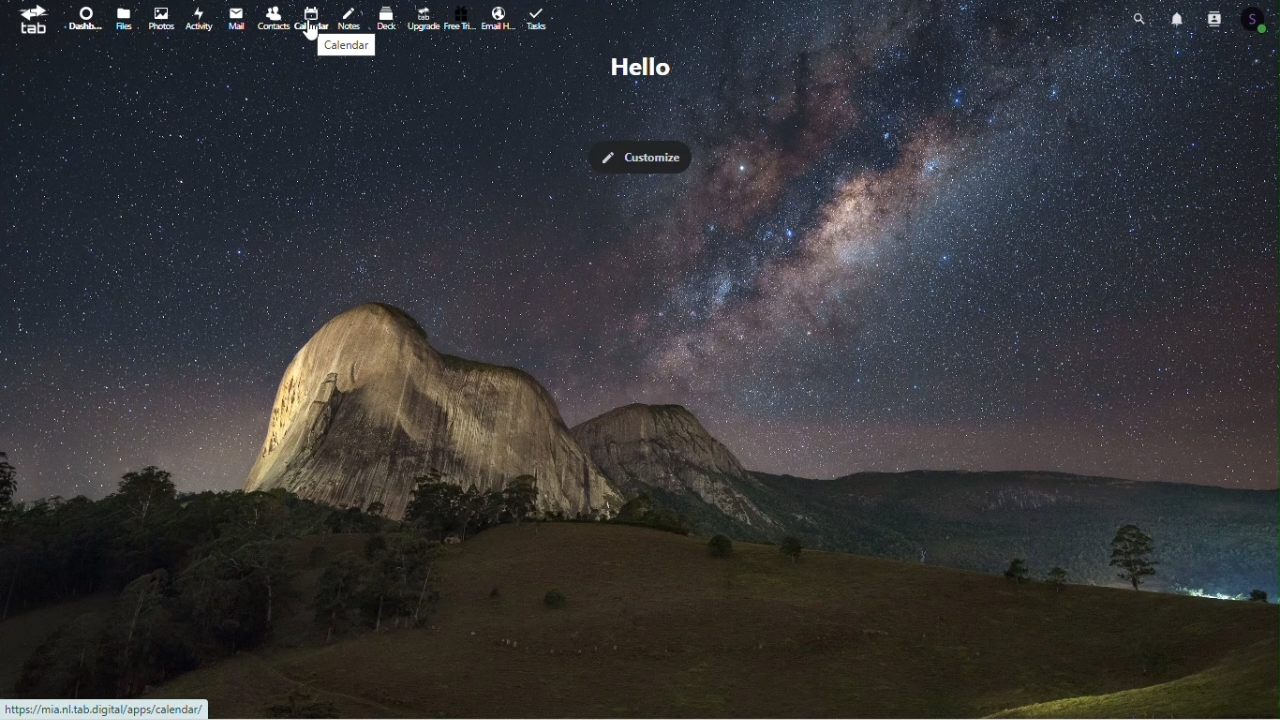 This screenshot has height=720, width=1280. Describe the element at coordinates (460, 18) in the screenshot. I see `free trail` at that location.